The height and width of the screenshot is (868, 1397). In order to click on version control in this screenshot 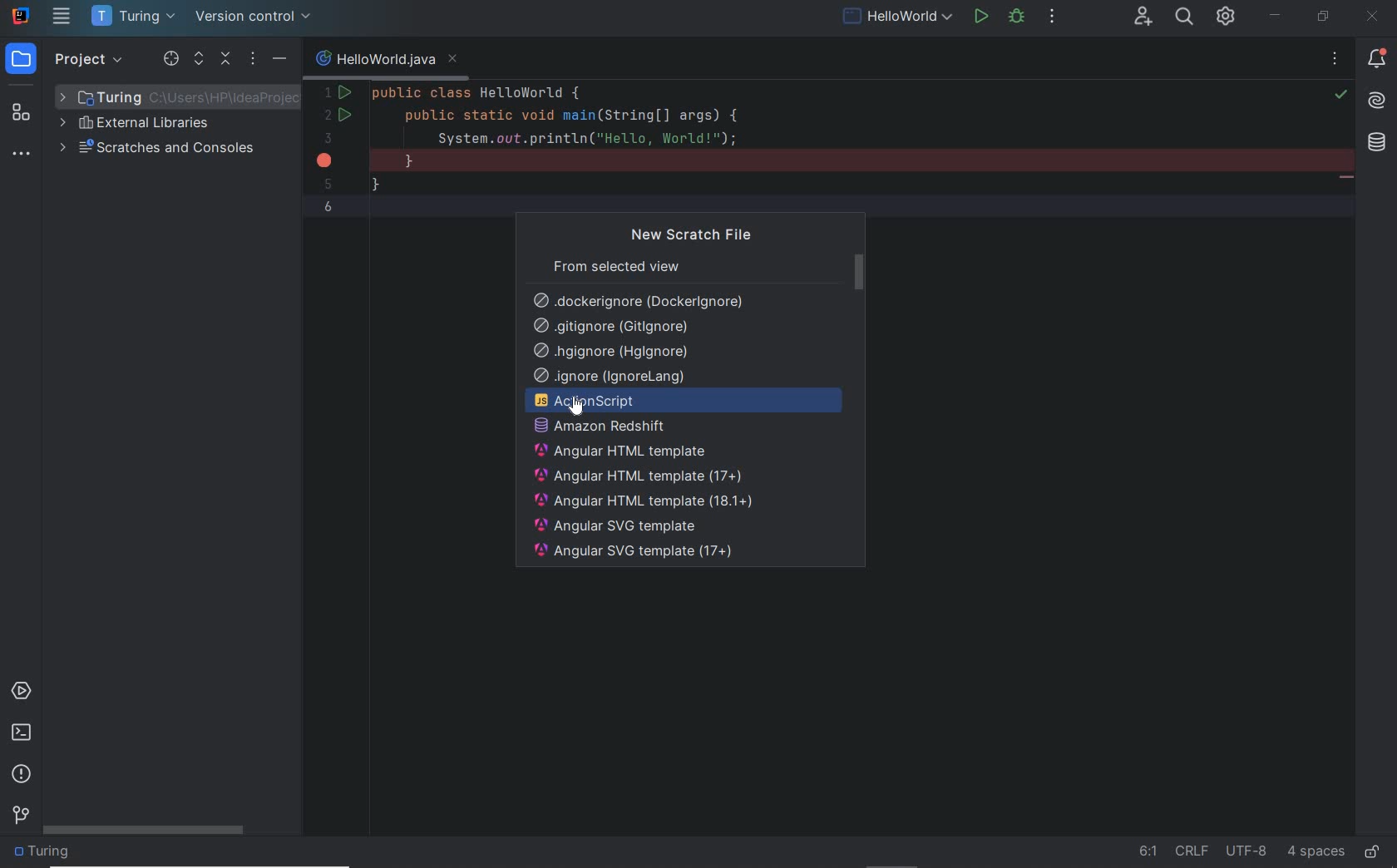, I will do `click(255, 18)`.